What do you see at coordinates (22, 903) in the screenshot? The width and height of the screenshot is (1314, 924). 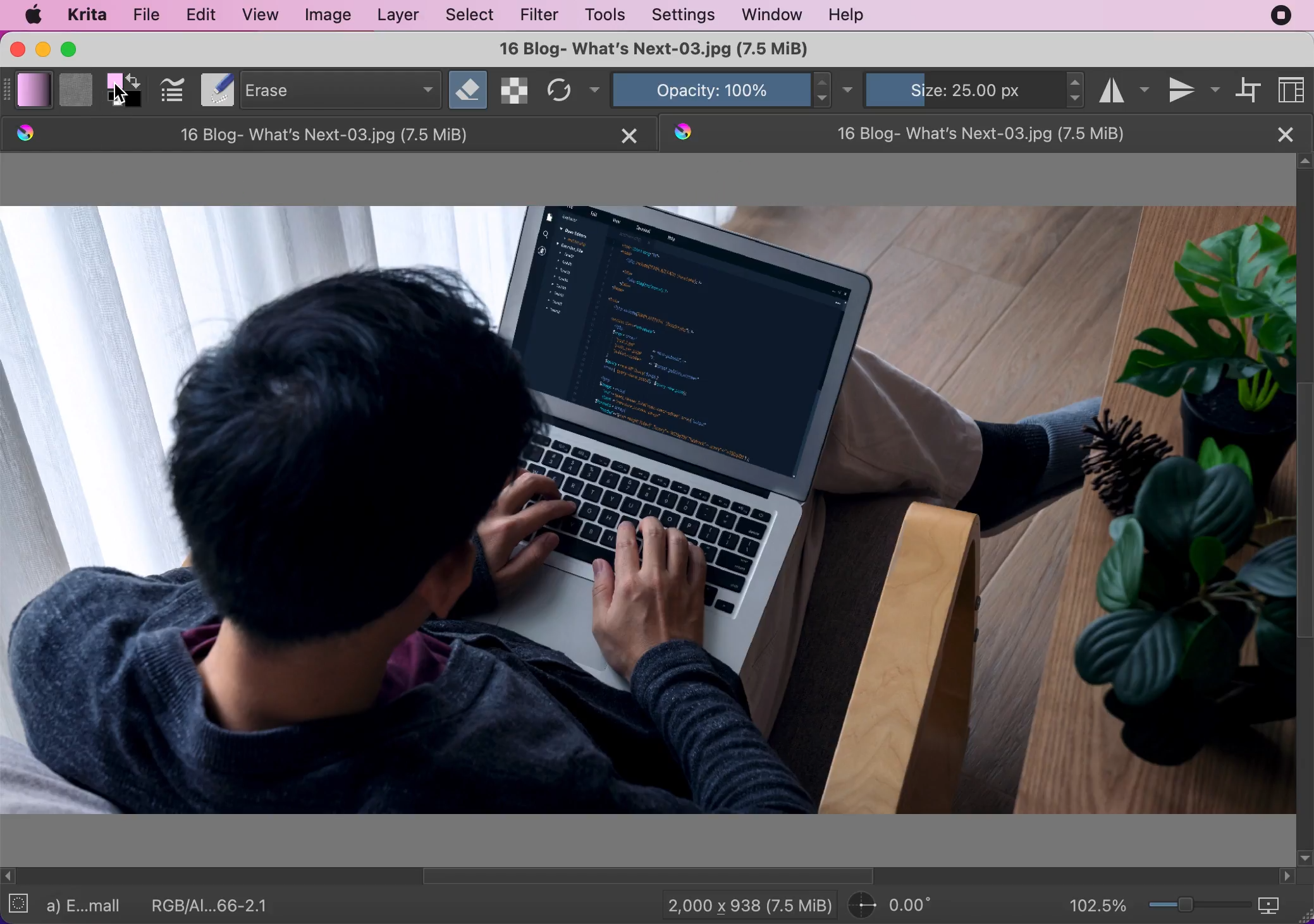 I see `no selection` at bounding box center [22, 903].